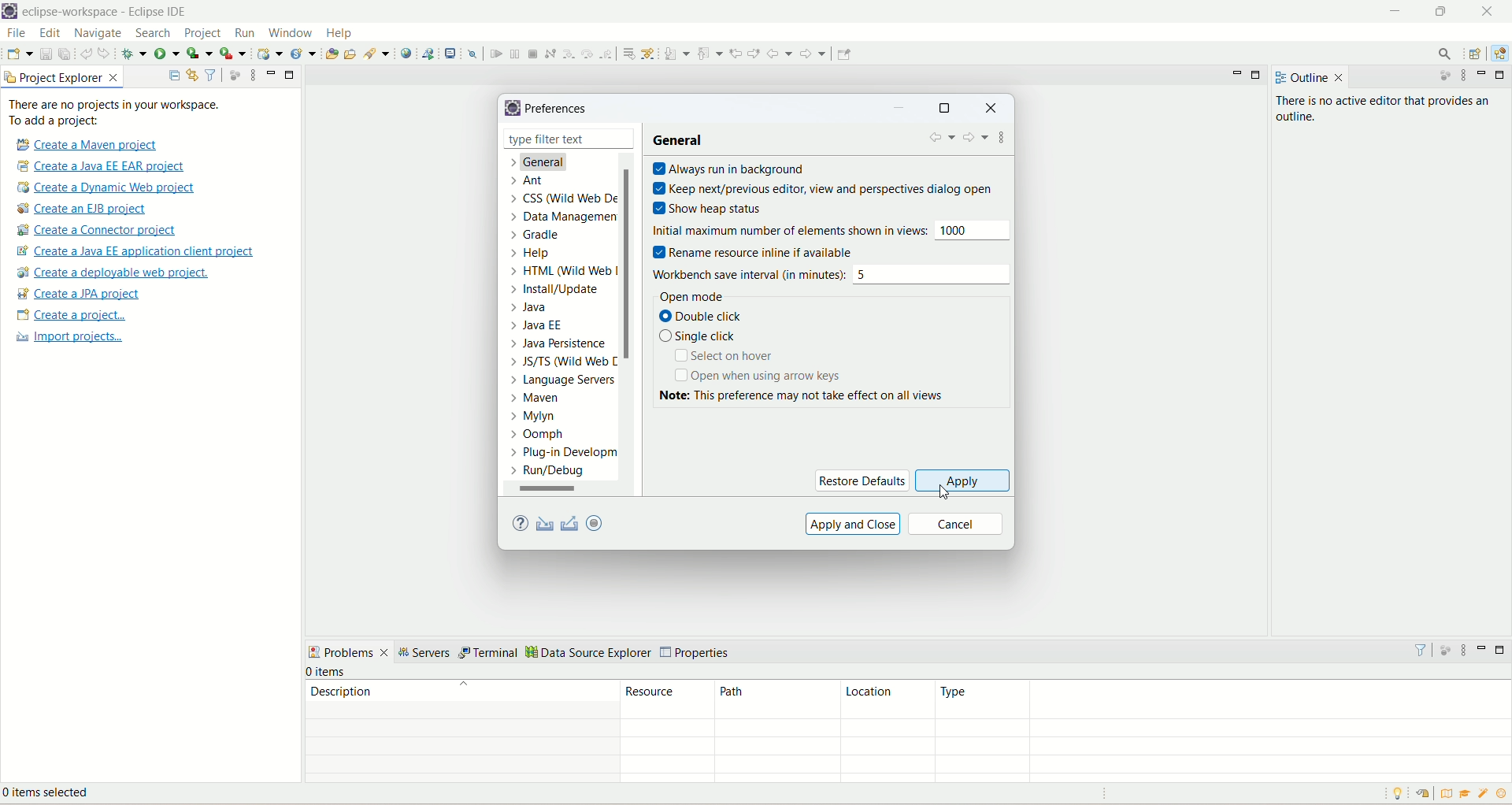 This screenshot has width=1512, height=805. Describe the element at coordinates (547, 523) in the screenshot. I see `import` at that location.